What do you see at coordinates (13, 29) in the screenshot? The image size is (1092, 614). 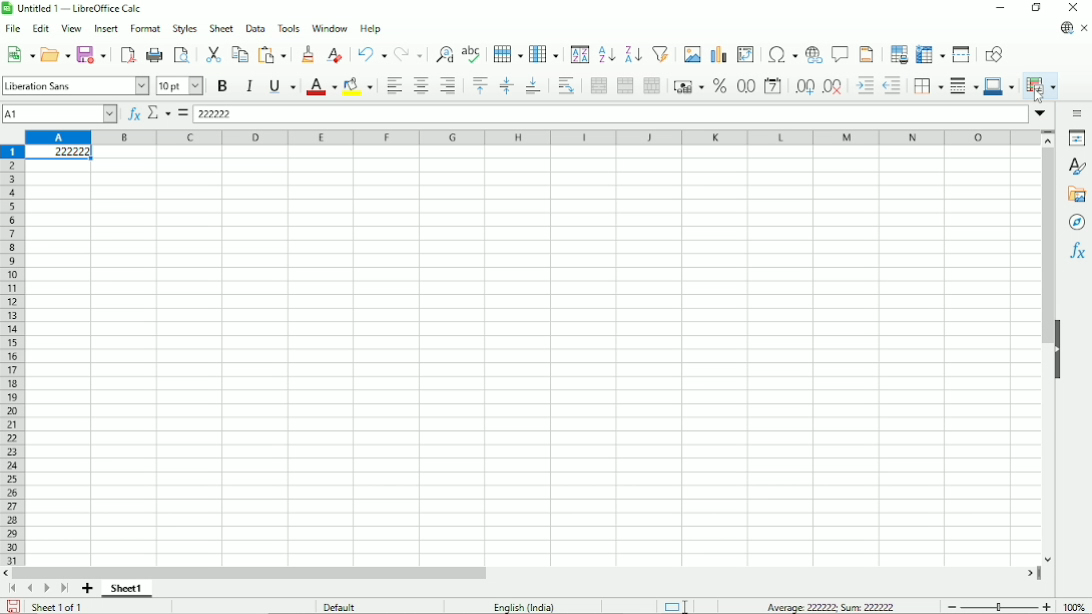 I see `File` at bounding box center [13, 29].